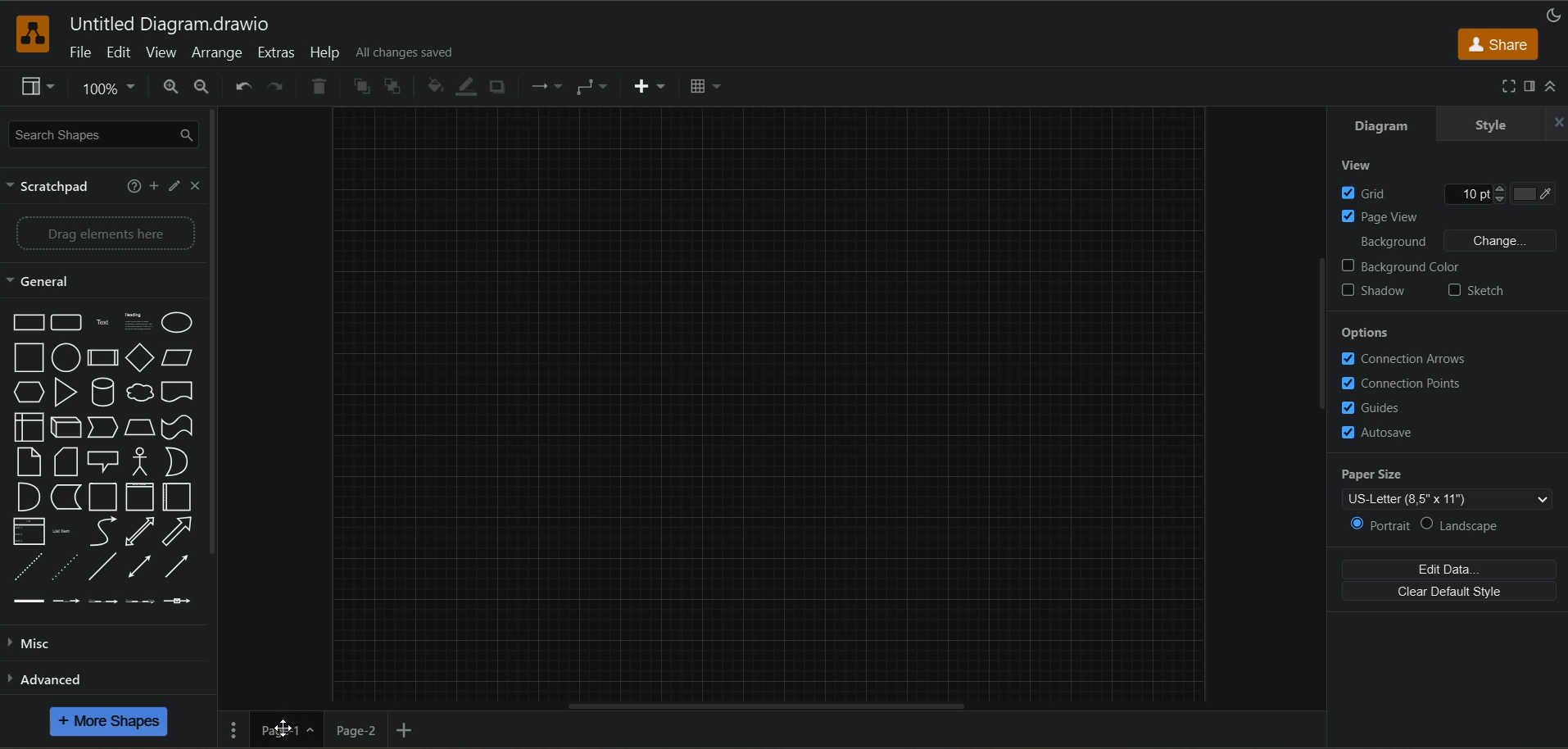 The width and height of the screenshot is (1568, 749). I want to click on view, so click(1357, 167).